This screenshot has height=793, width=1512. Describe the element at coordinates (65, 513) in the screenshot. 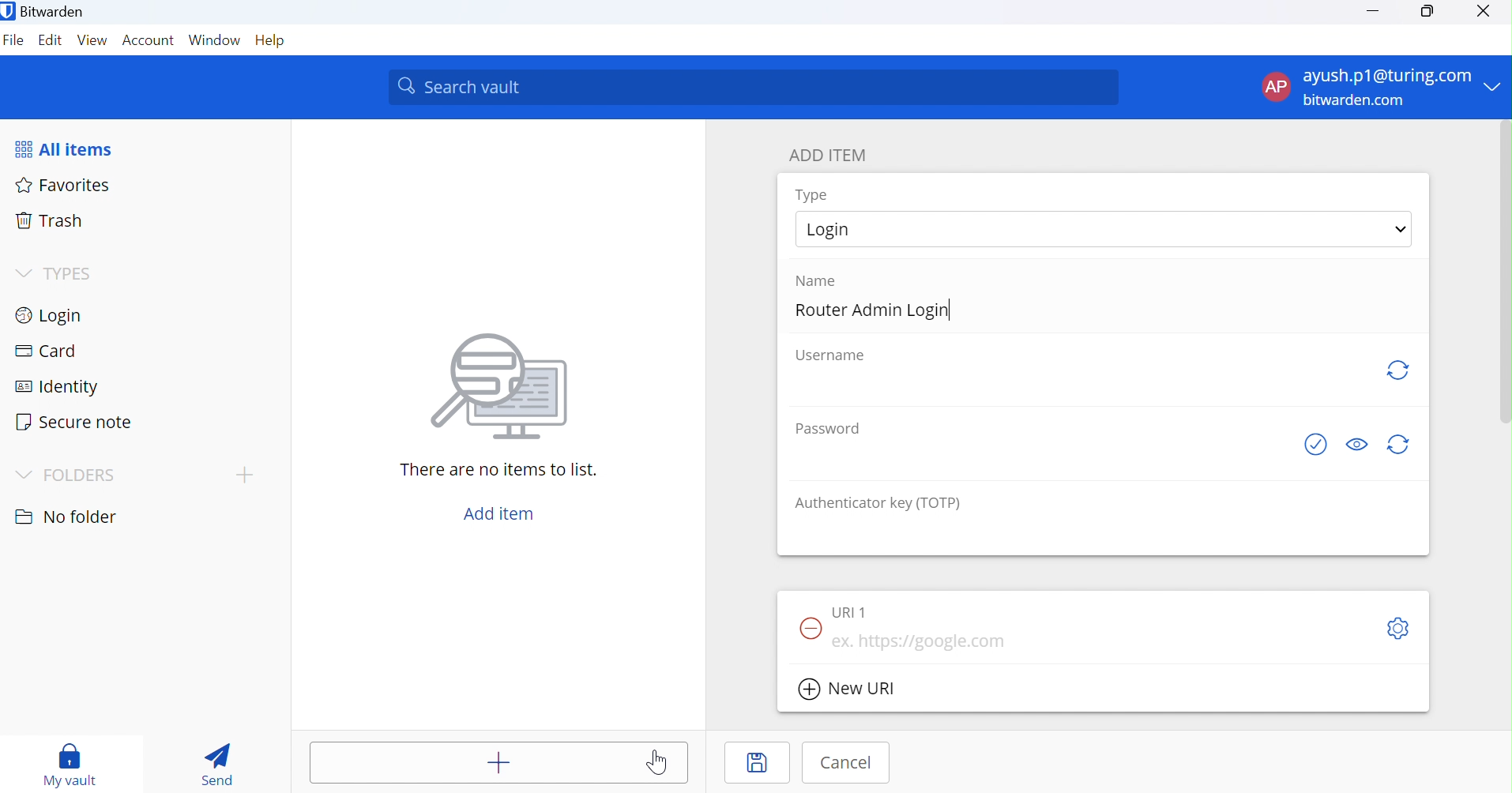

I see `No folder` at that location.